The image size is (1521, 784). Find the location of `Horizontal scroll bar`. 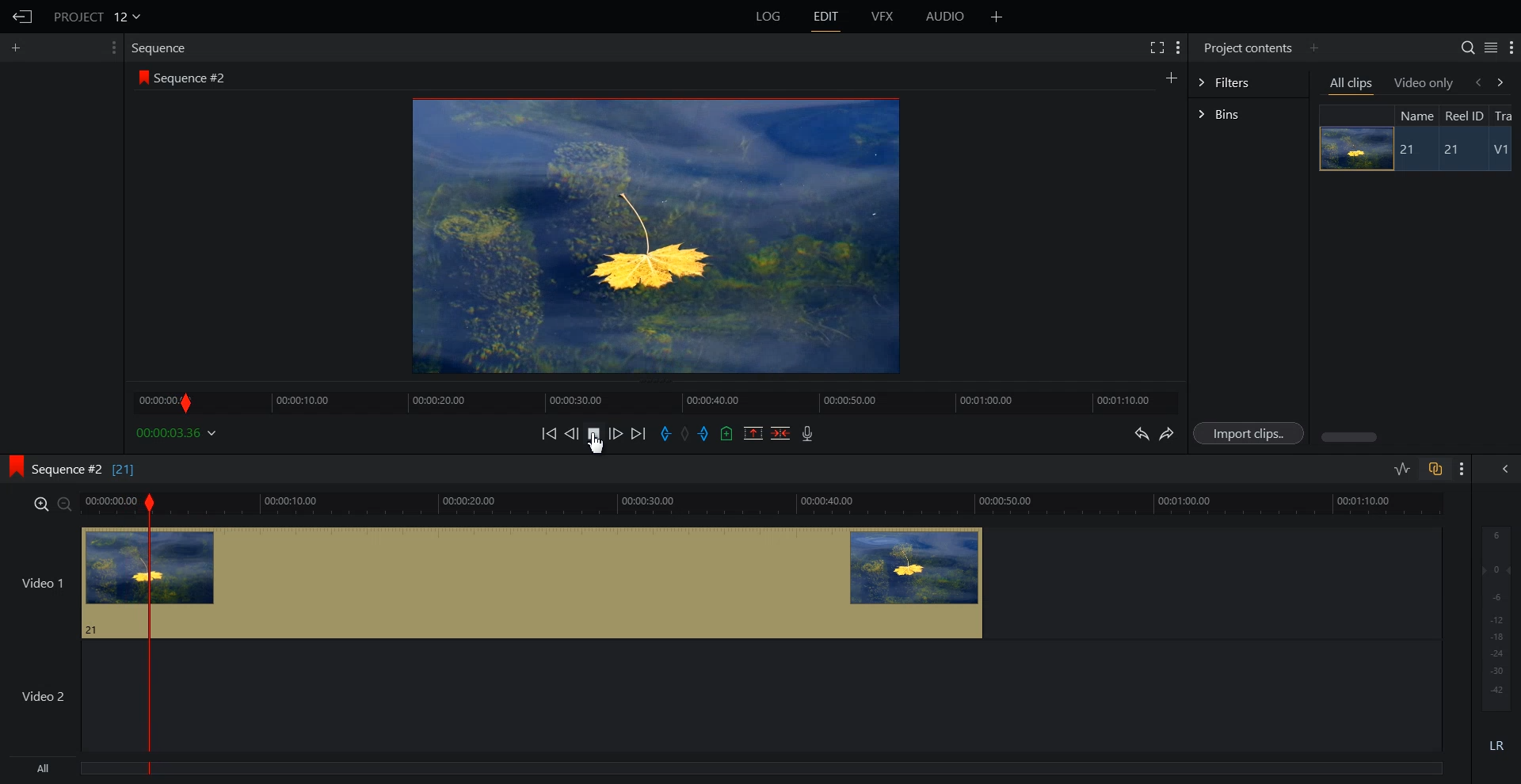

Horizontal scroll bar is located at coordinates (1351, 437).